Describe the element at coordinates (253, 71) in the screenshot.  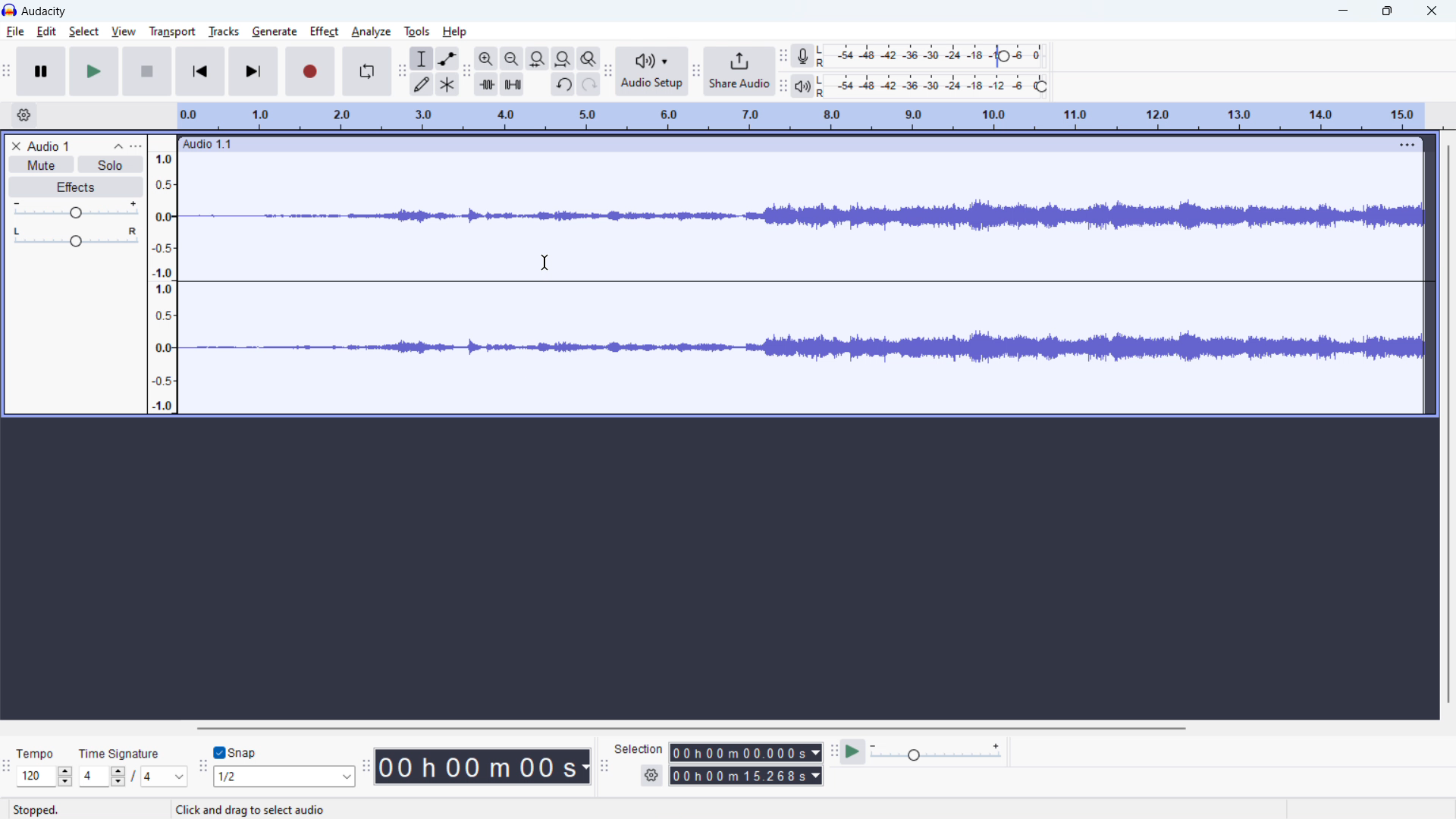
I see `skip to end` at that location.